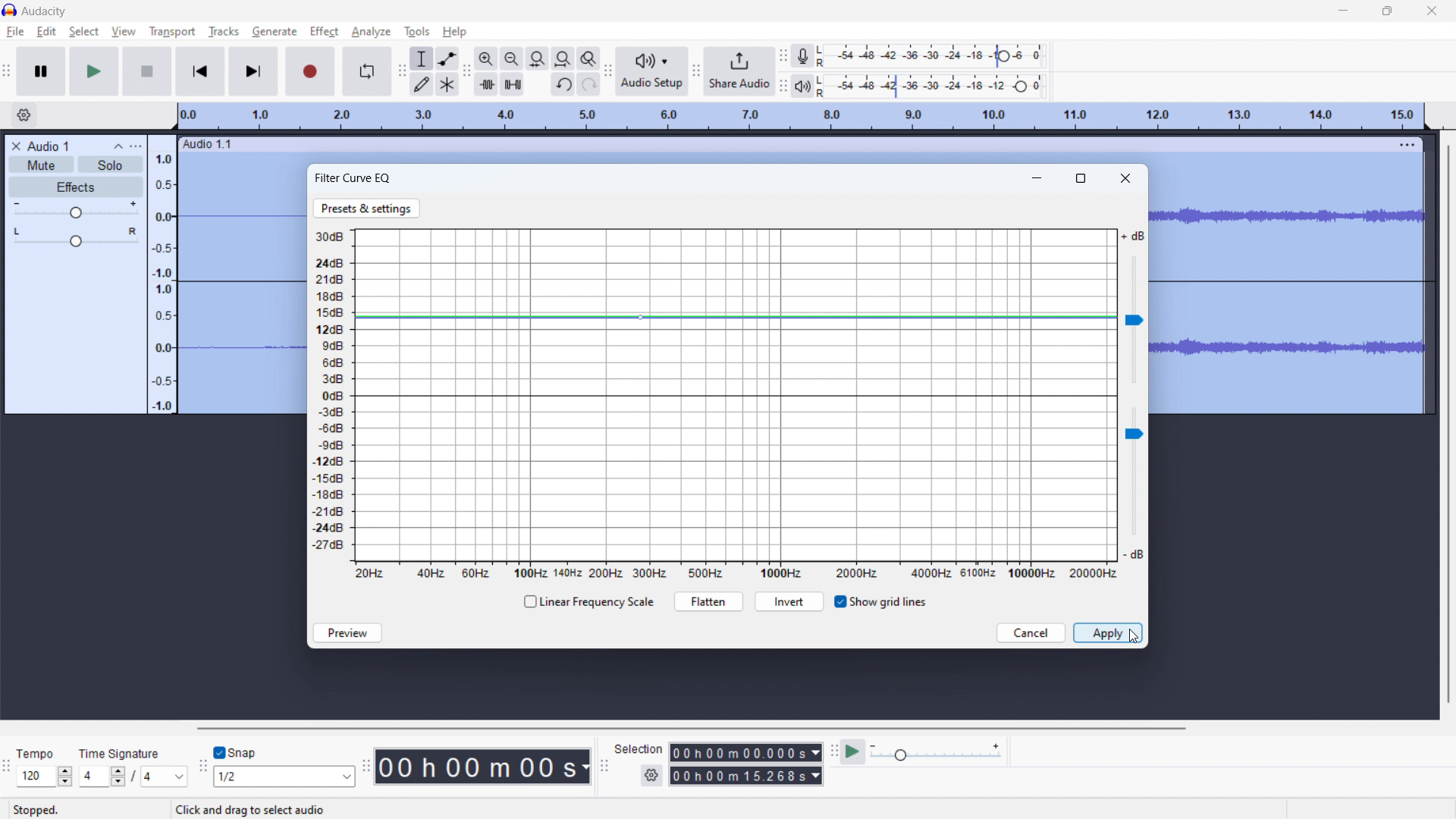 The width and height of the screenshot is (1456, 819). Describe the element at coordinates (41, 164) in the screenshot. I see `mute` at that location.